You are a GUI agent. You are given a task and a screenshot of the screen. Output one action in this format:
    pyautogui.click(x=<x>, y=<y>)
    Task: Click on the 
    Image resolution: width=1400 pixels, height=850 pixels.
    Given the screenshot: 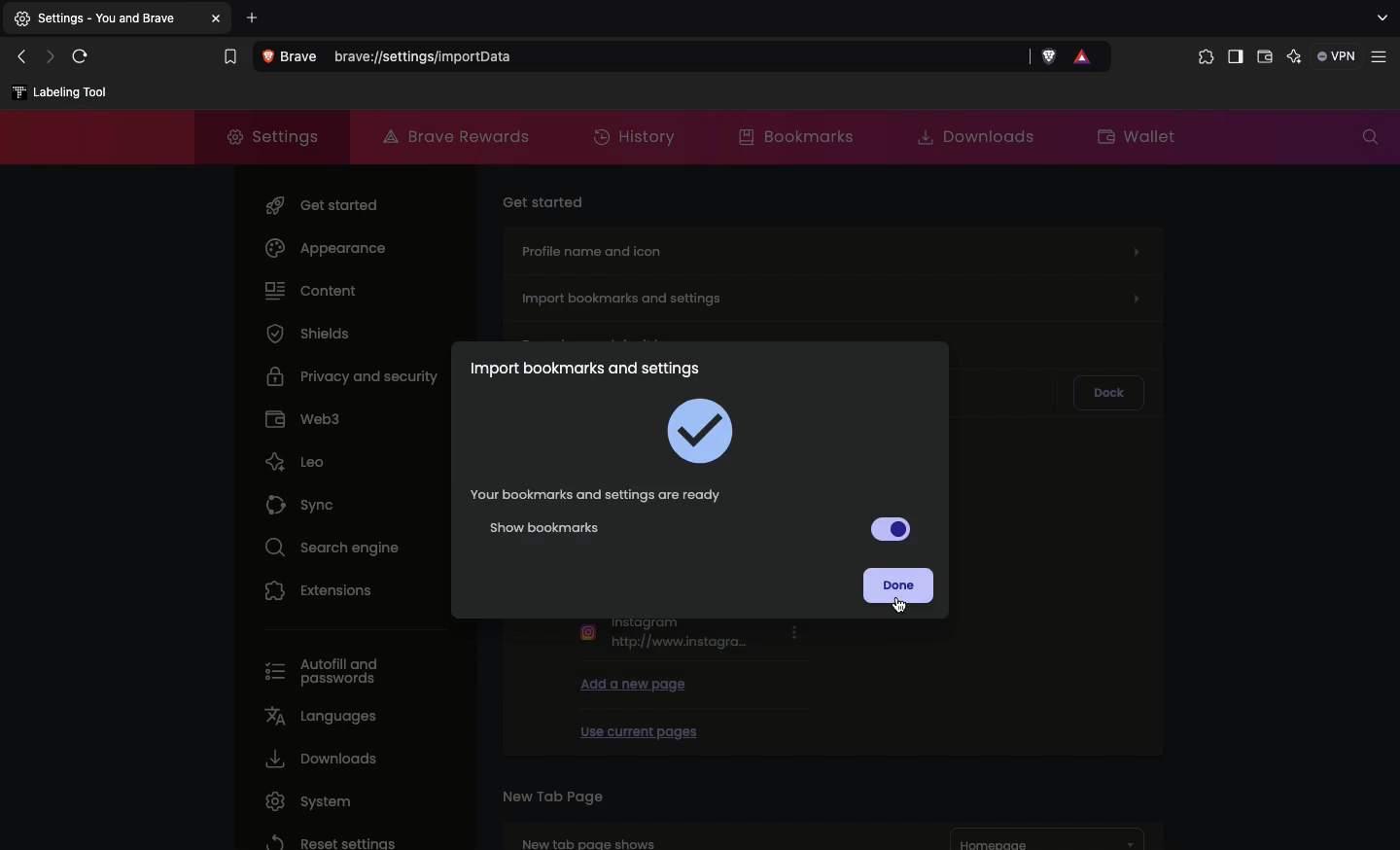 What is the action you would take?
    pyautogui.click(x=219, y=18)
    